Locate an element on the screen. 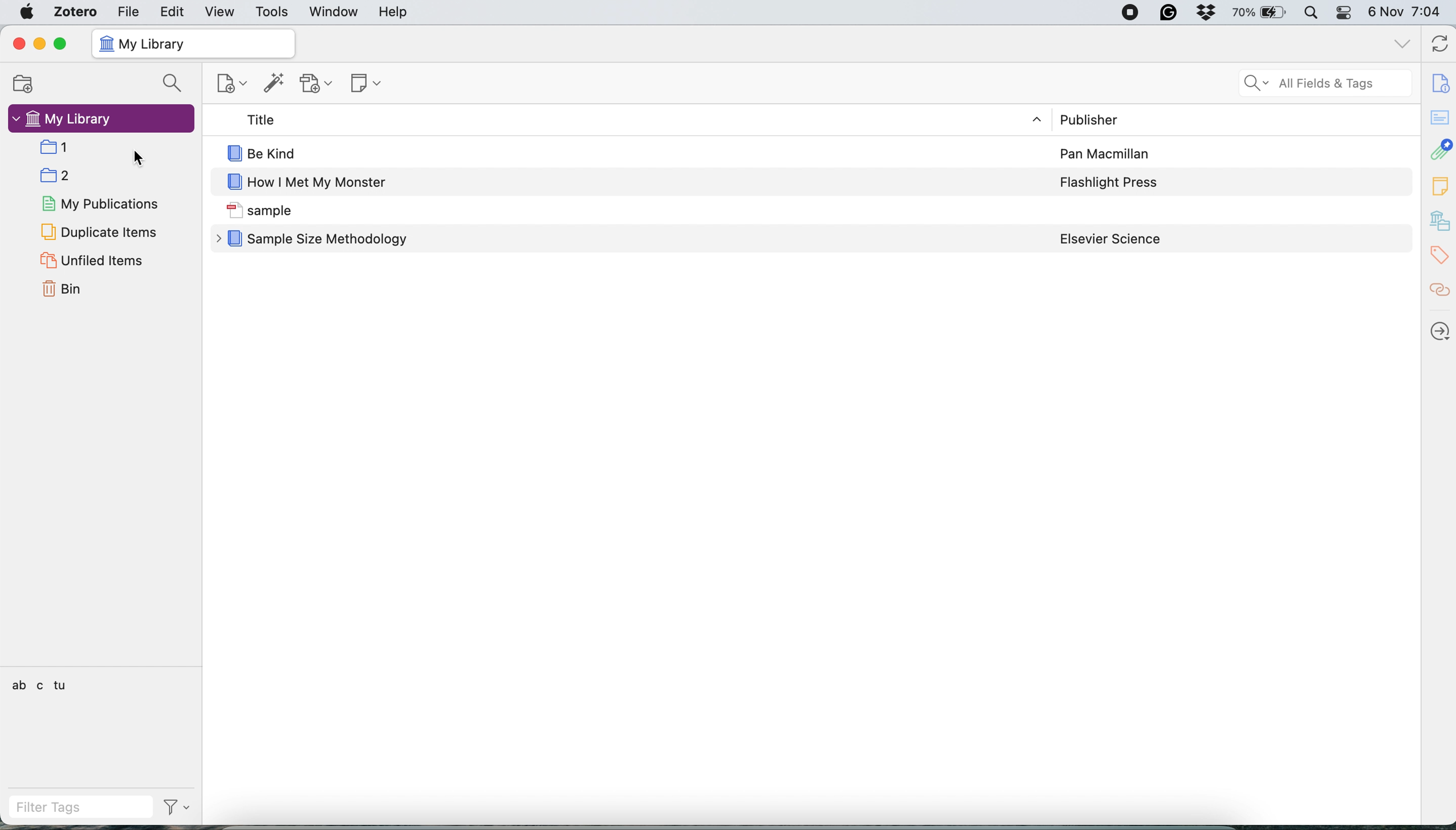 The width and height of the screenshot is (1456, 830). attachment is located at coordinates (1439, 150).